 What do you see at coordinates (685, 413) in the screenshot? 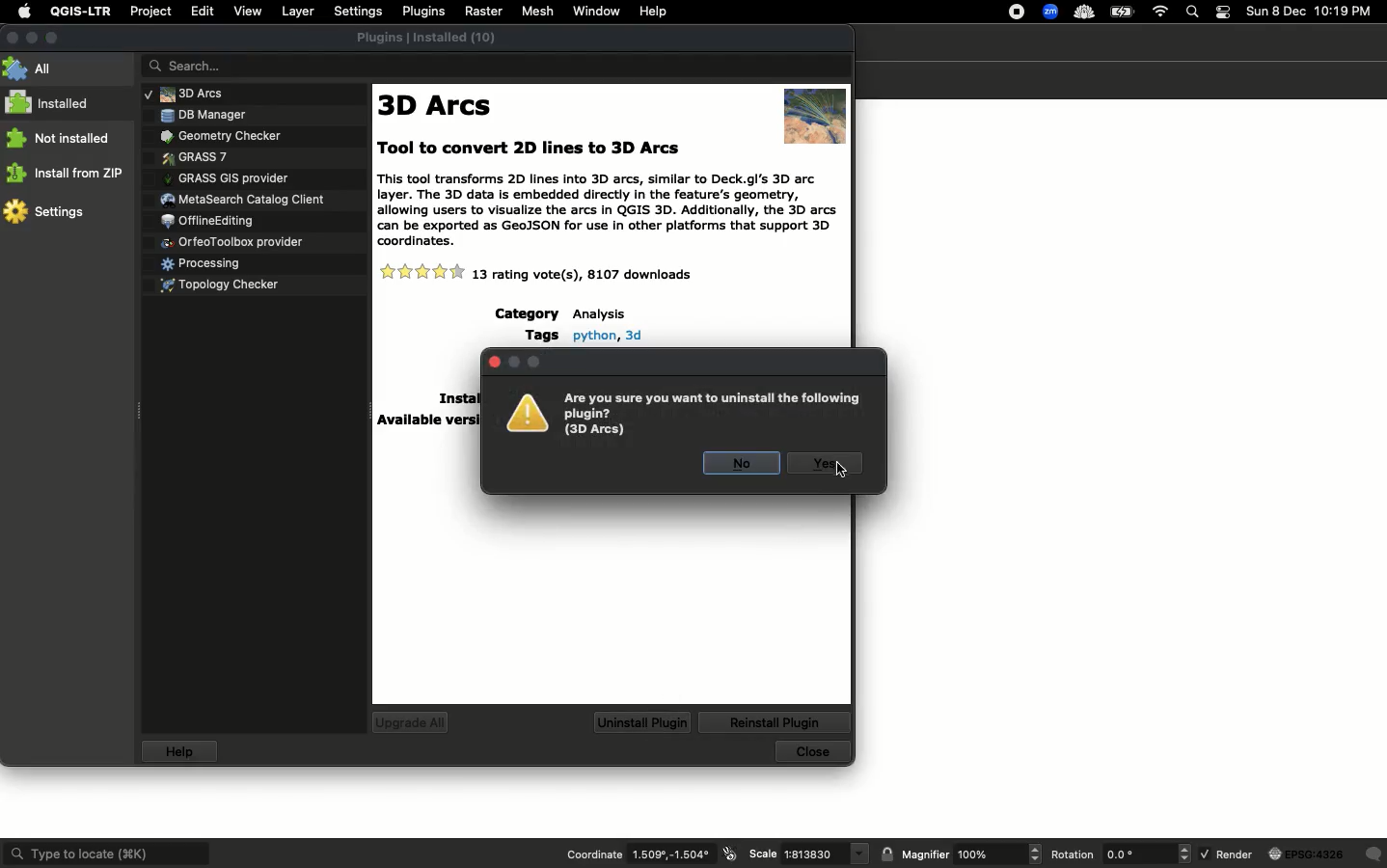
I see `Warning` at bounding box center [685, 413].